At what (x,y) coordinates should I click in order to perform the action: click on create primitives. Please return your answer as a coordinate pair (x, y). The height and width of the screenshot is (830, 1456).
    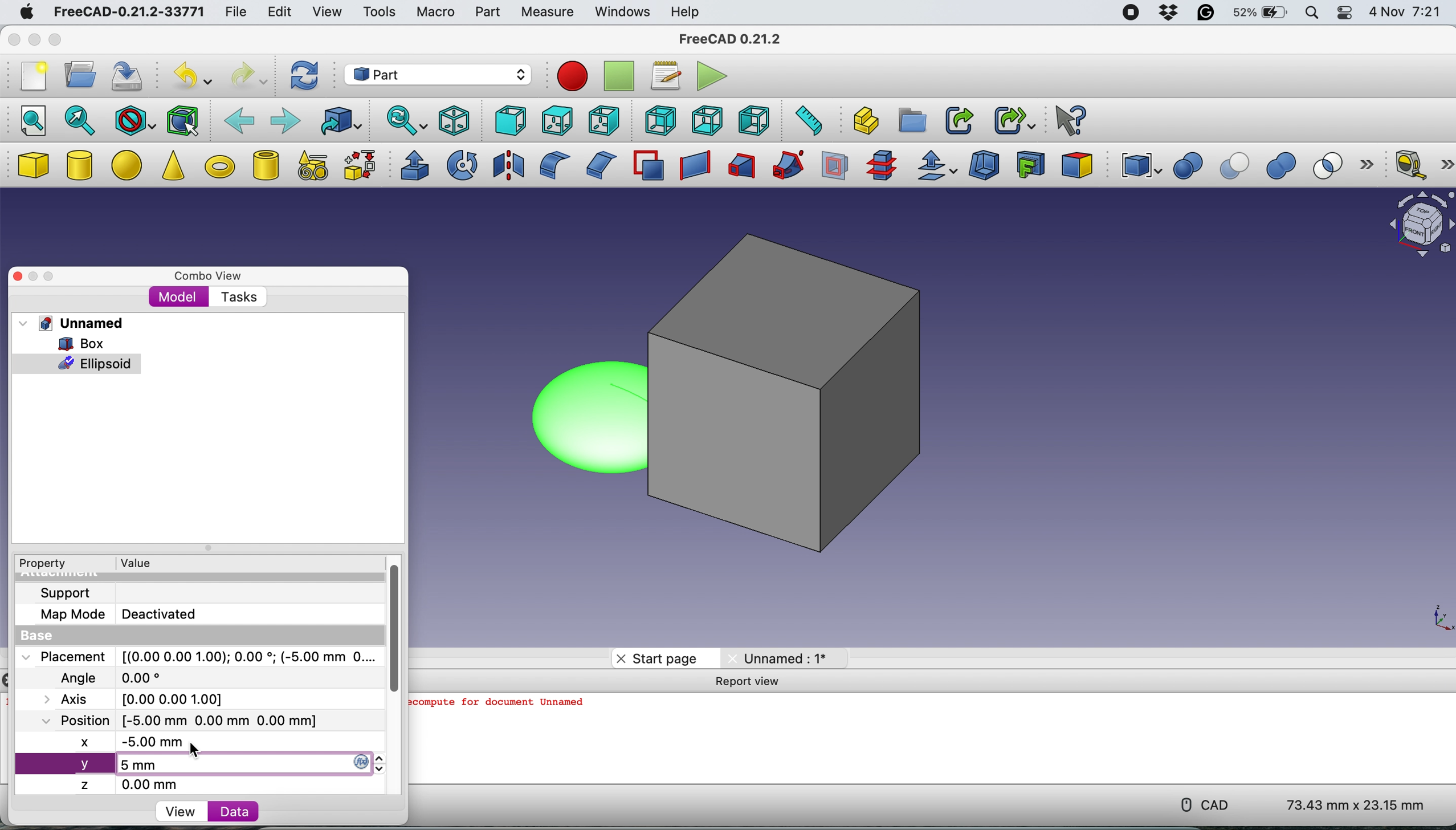
    Looking at the image, I should click on (309, 166).